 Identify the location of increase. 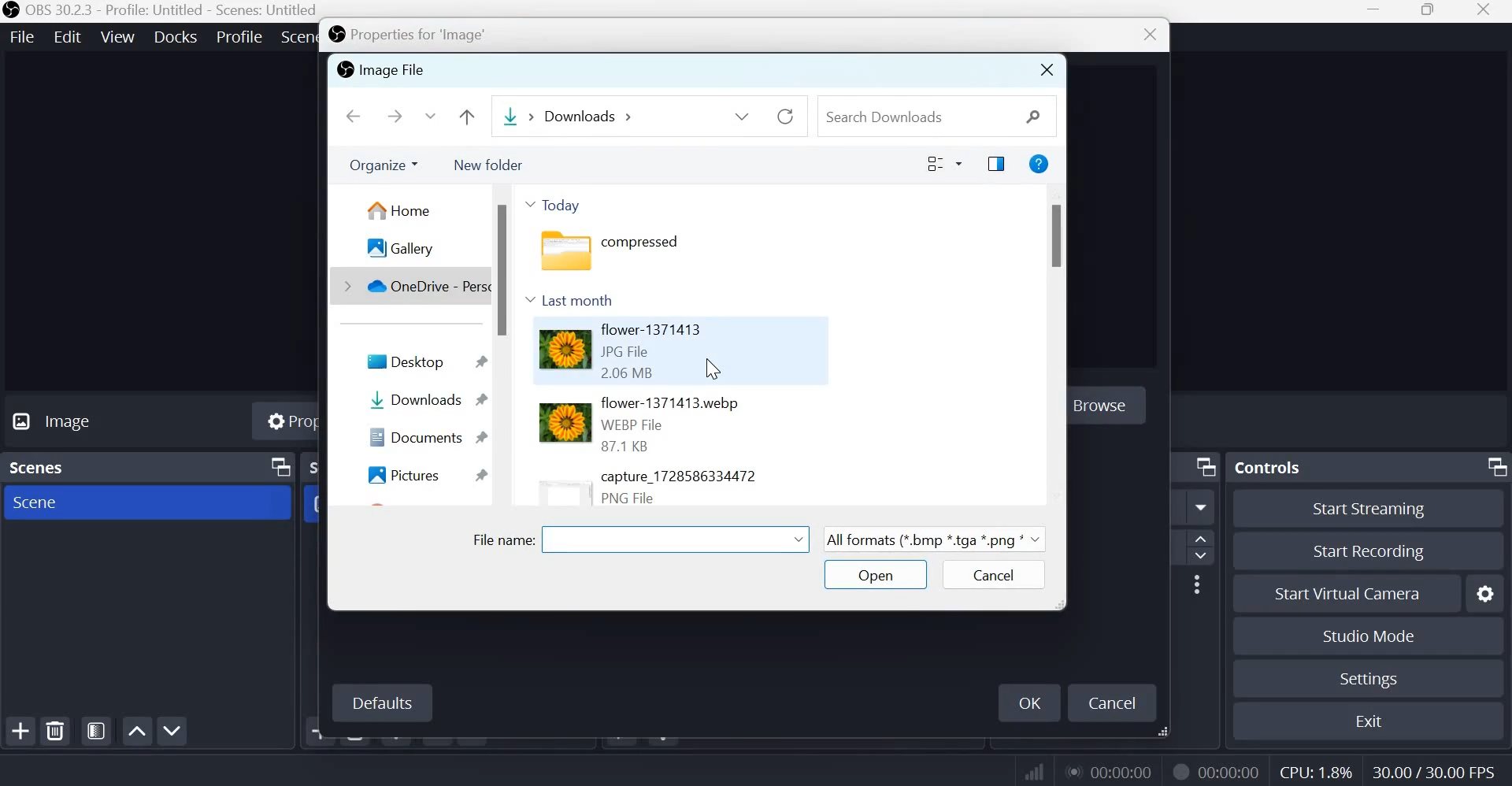
(1206, 539).